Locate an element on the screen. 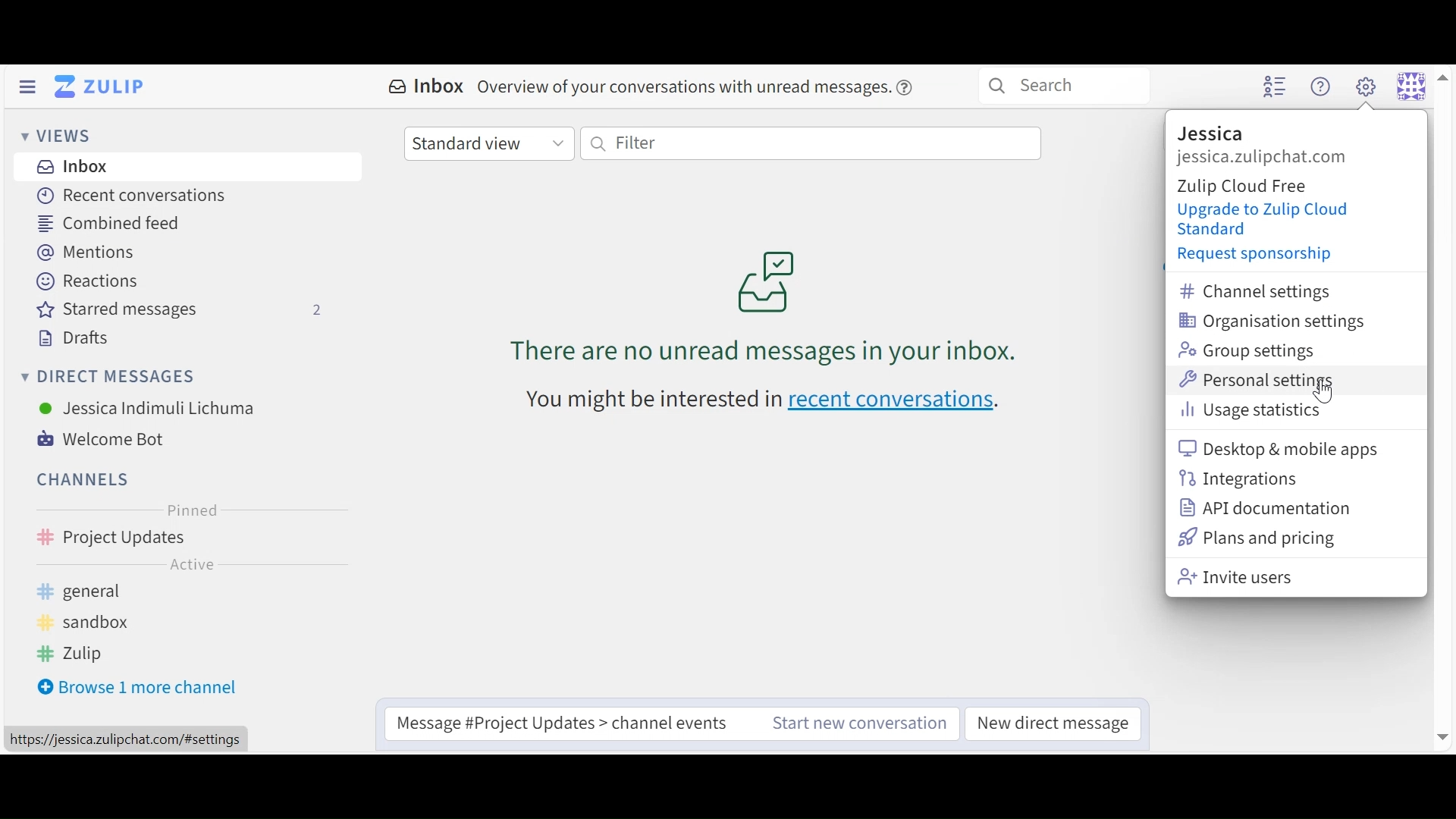 The height and width of the screenshot is (819, 1456). unread messages is located at coordinates (764, 309).